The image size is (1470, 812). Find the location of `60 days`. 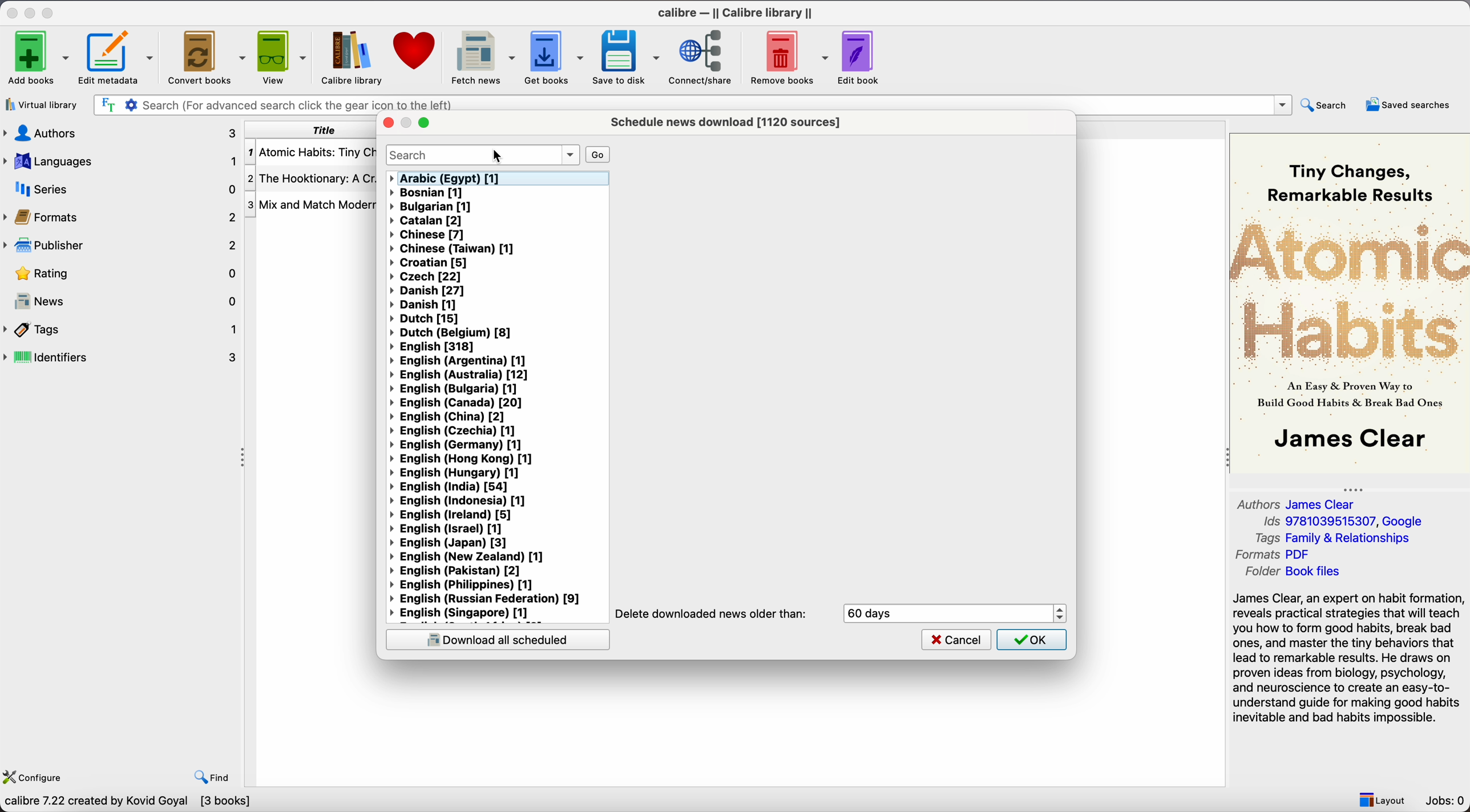

60 days is located at coordinates (875, 613).